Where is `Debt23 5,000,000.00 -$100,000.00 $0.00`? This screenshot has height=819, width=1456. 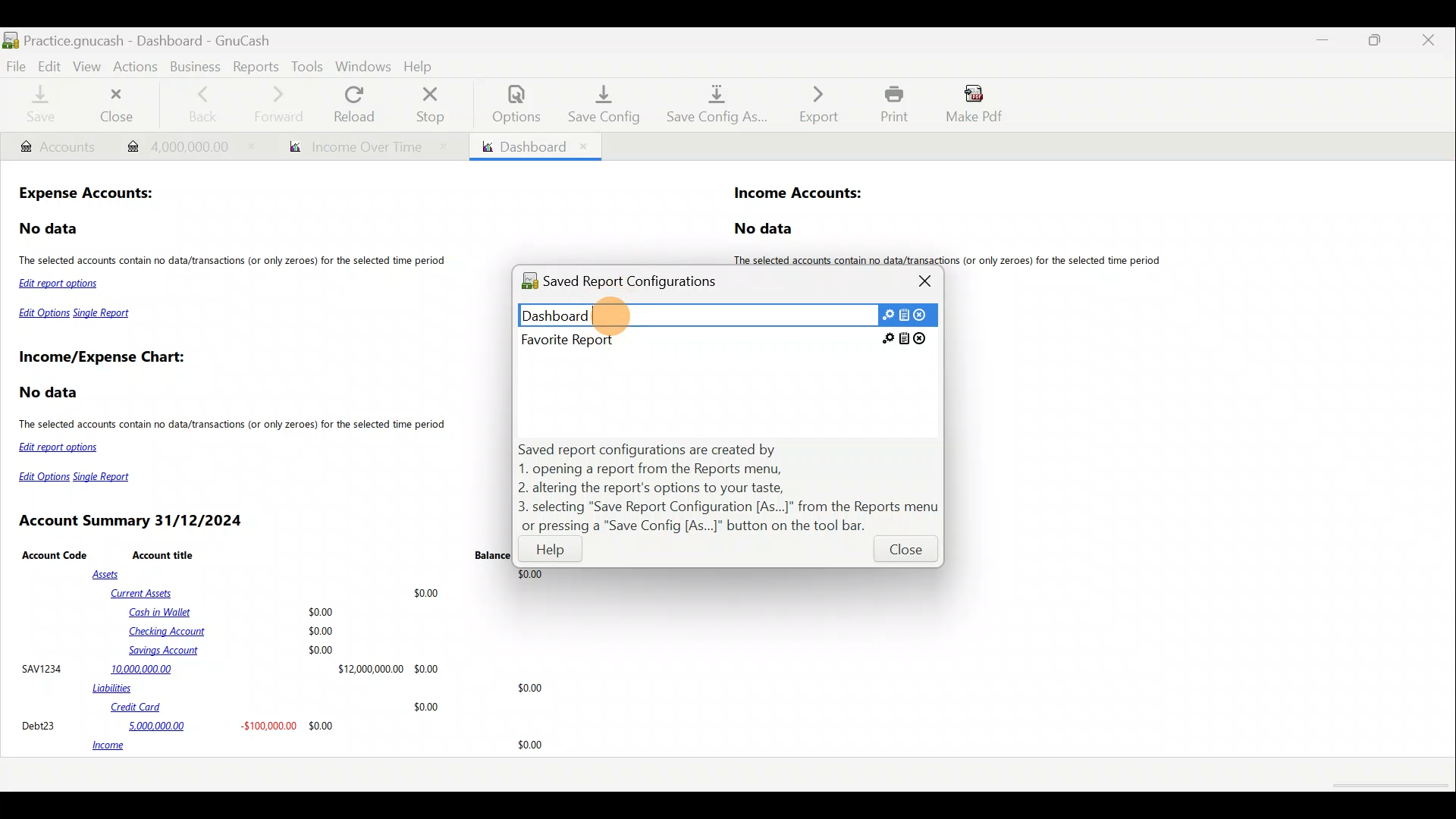 Debt23 5,000,000.00 -$100,000.00 $0.00 is located at coordinates (179, 725).